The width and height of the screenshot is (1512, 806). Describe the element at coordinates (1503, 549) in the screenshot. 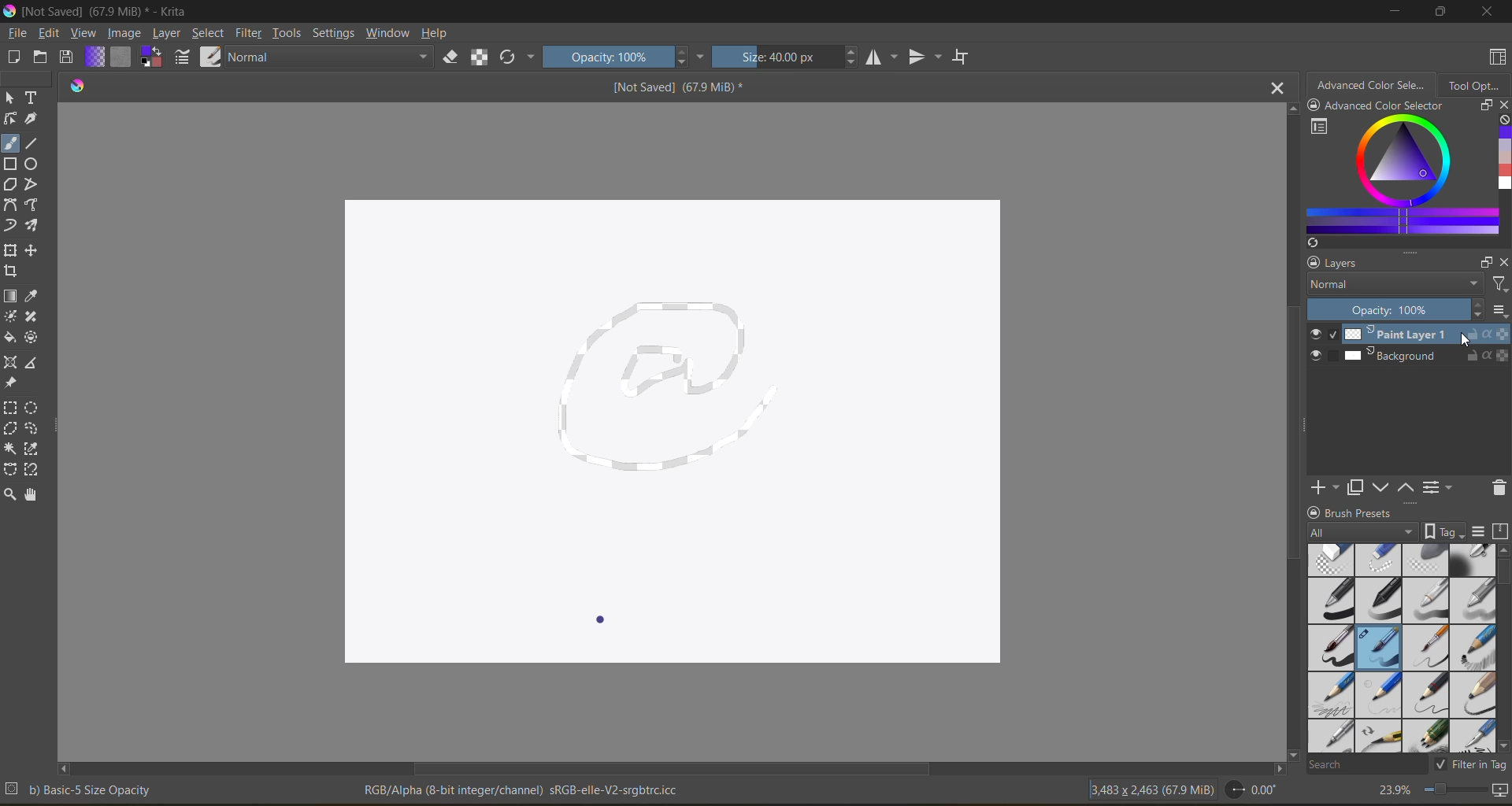

I see `scroll up` at that location.